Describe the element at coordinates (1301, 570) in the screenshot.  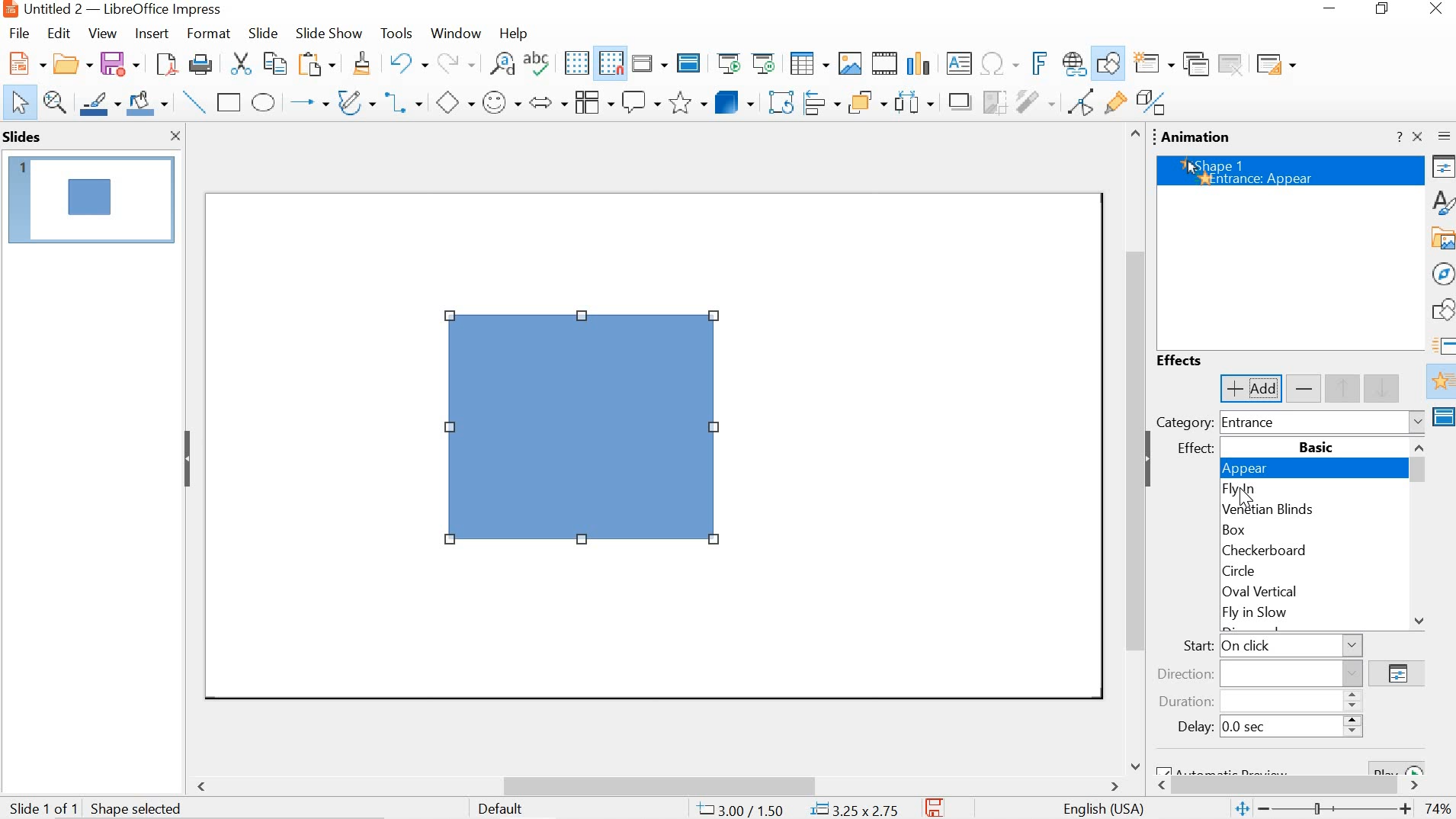
I see `circle` at that location.